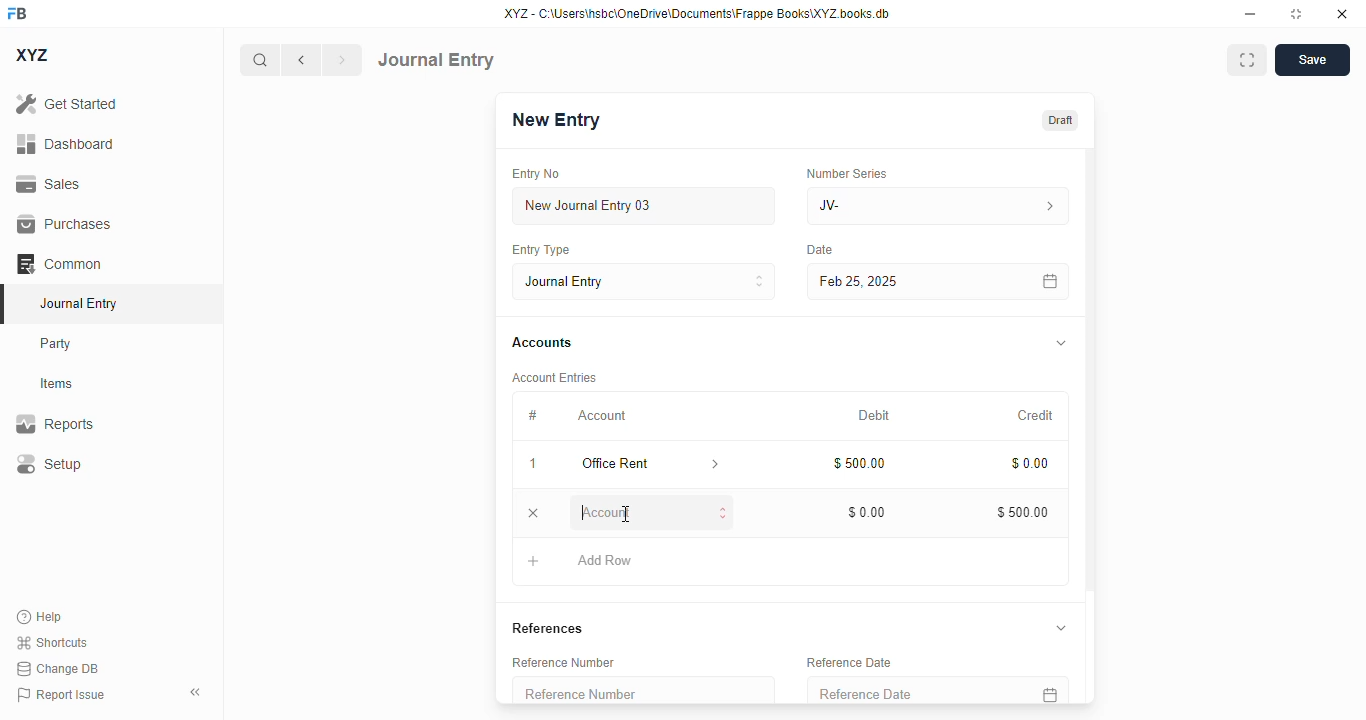 This screenshot has width=1366, height=720. What do you see at coordinates (436, 60) in the screenshot?
I see `journal entry` at bounding box center [436, 60].